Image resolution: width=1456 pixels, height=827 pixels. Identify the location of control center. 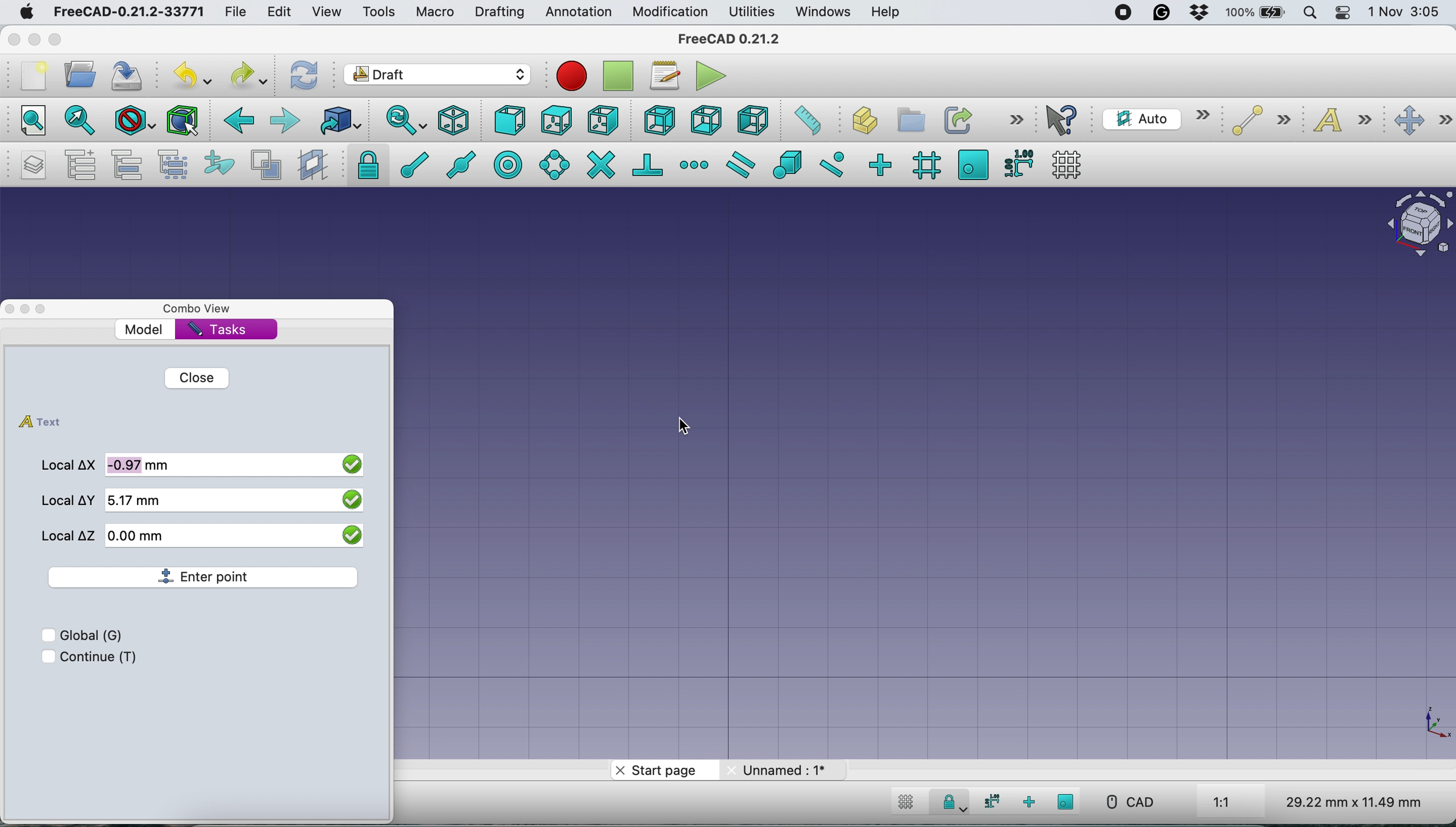
(1345, 14).